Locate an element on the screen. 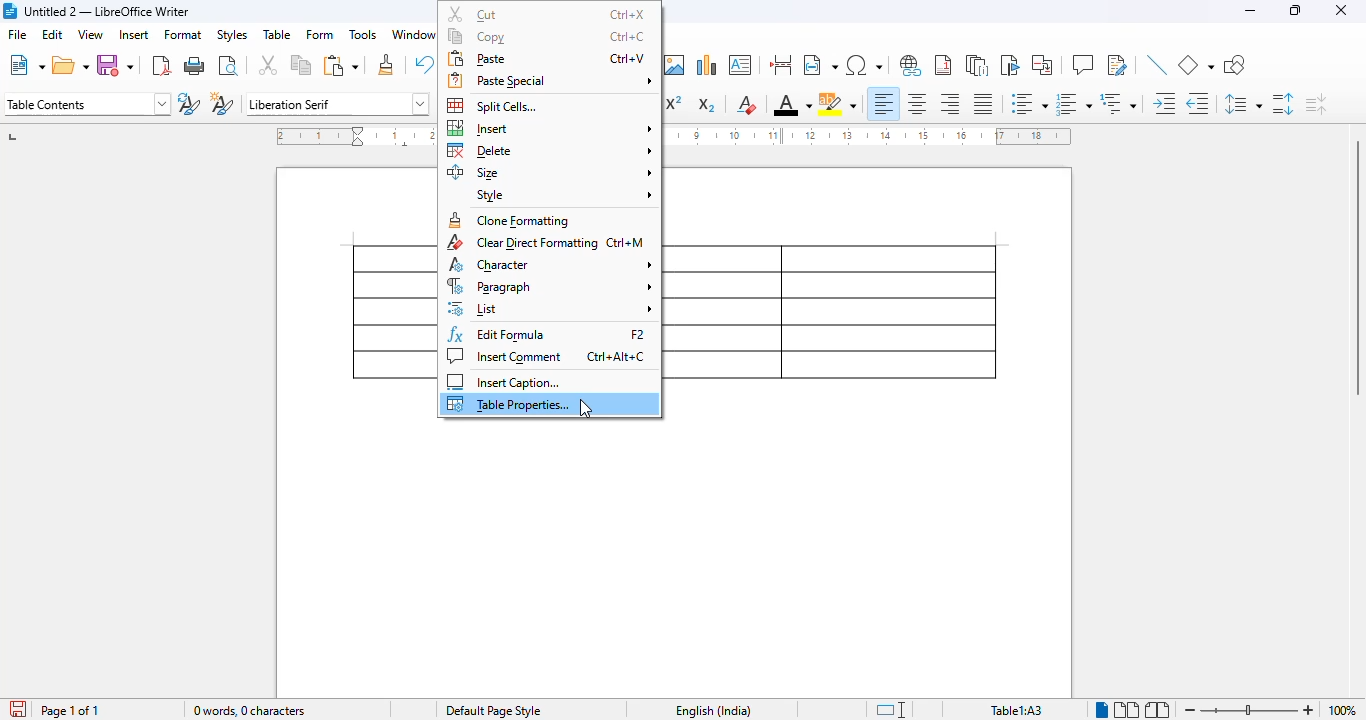 The image size is (1366, 720). paste is located at coordinates (477, 59).